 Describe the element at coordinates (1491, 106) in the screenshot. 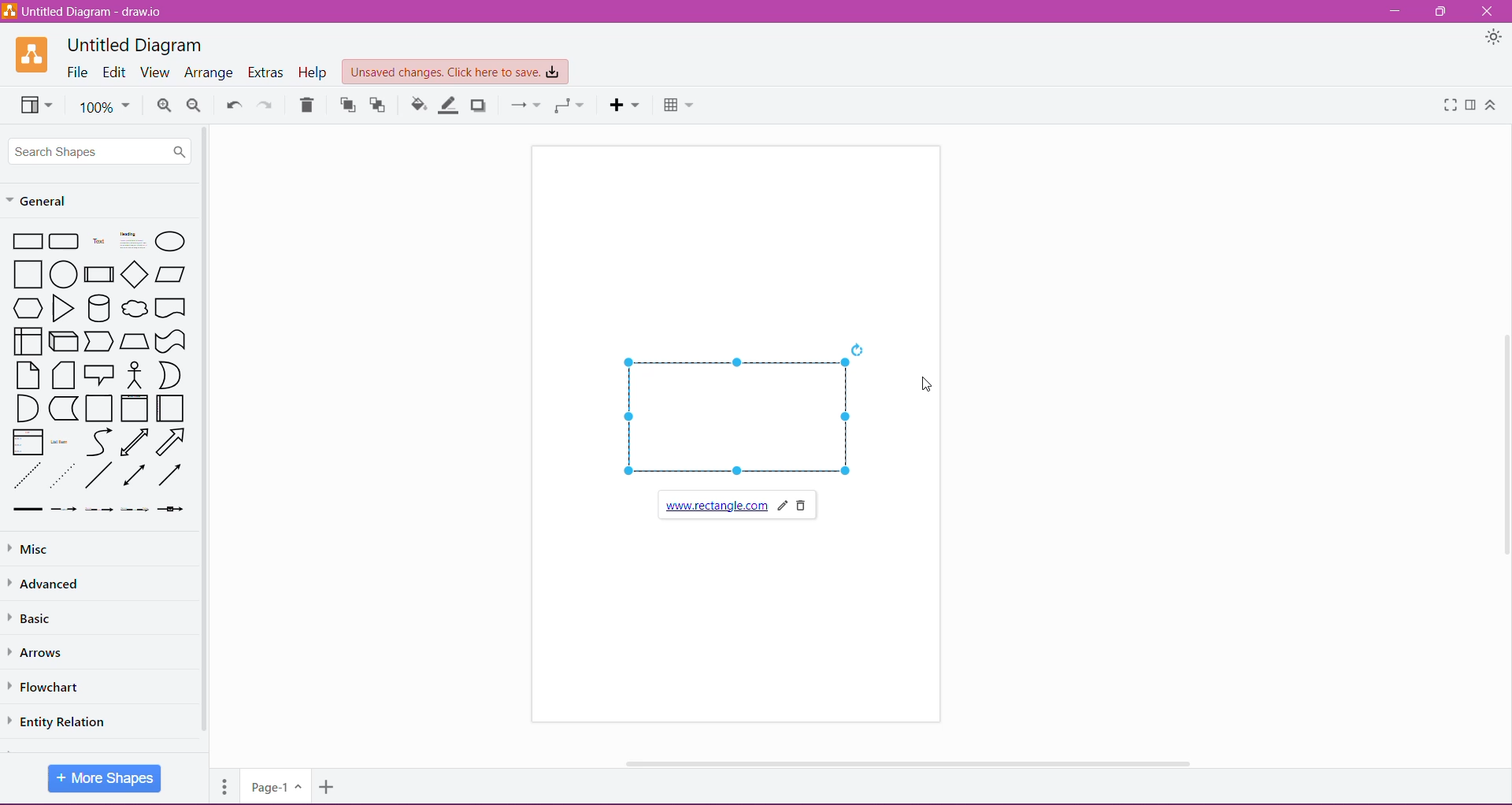

I see `Expand/Collapse` at that location.